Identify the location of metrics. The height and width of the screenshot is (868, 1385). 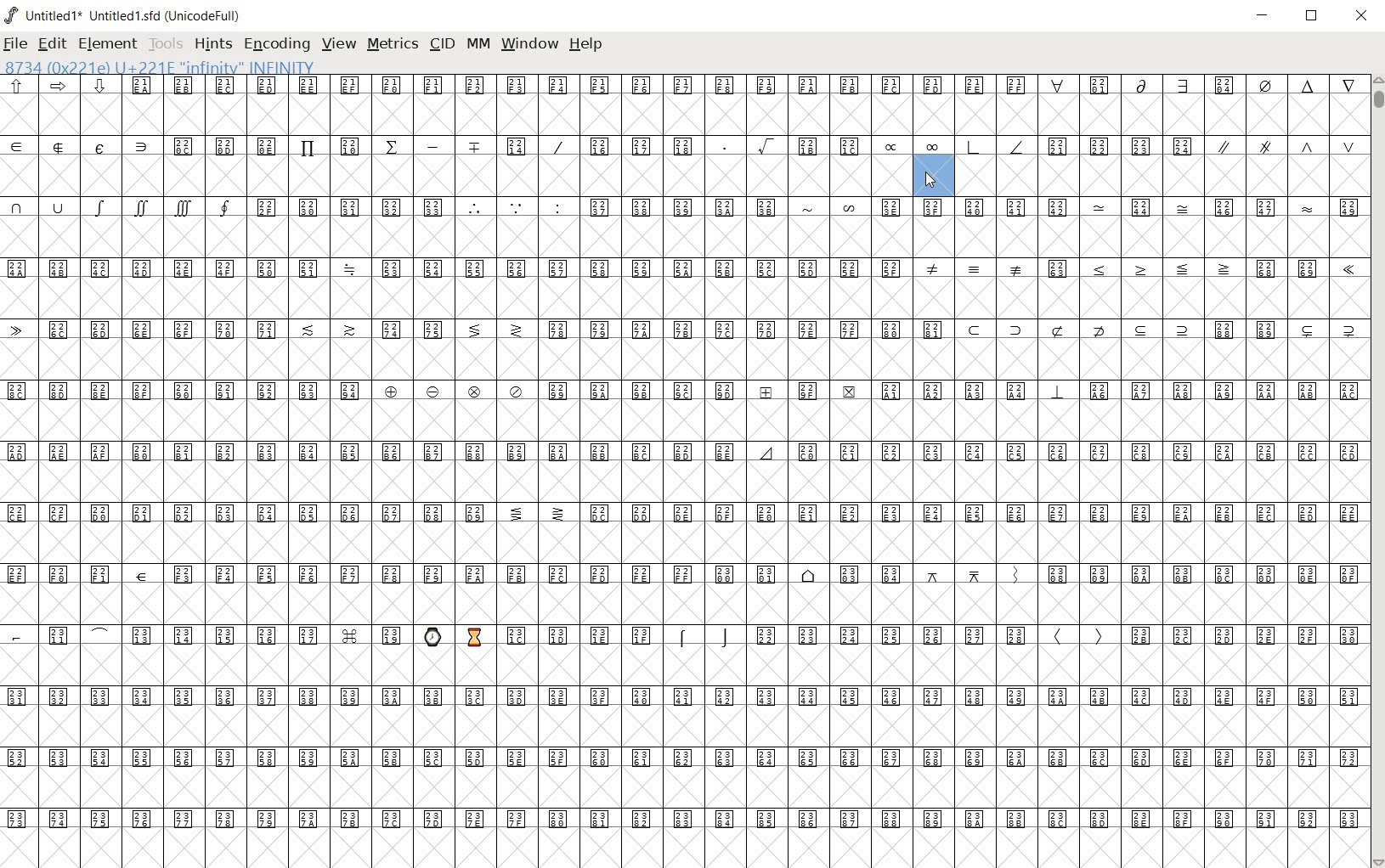
(394, 43).